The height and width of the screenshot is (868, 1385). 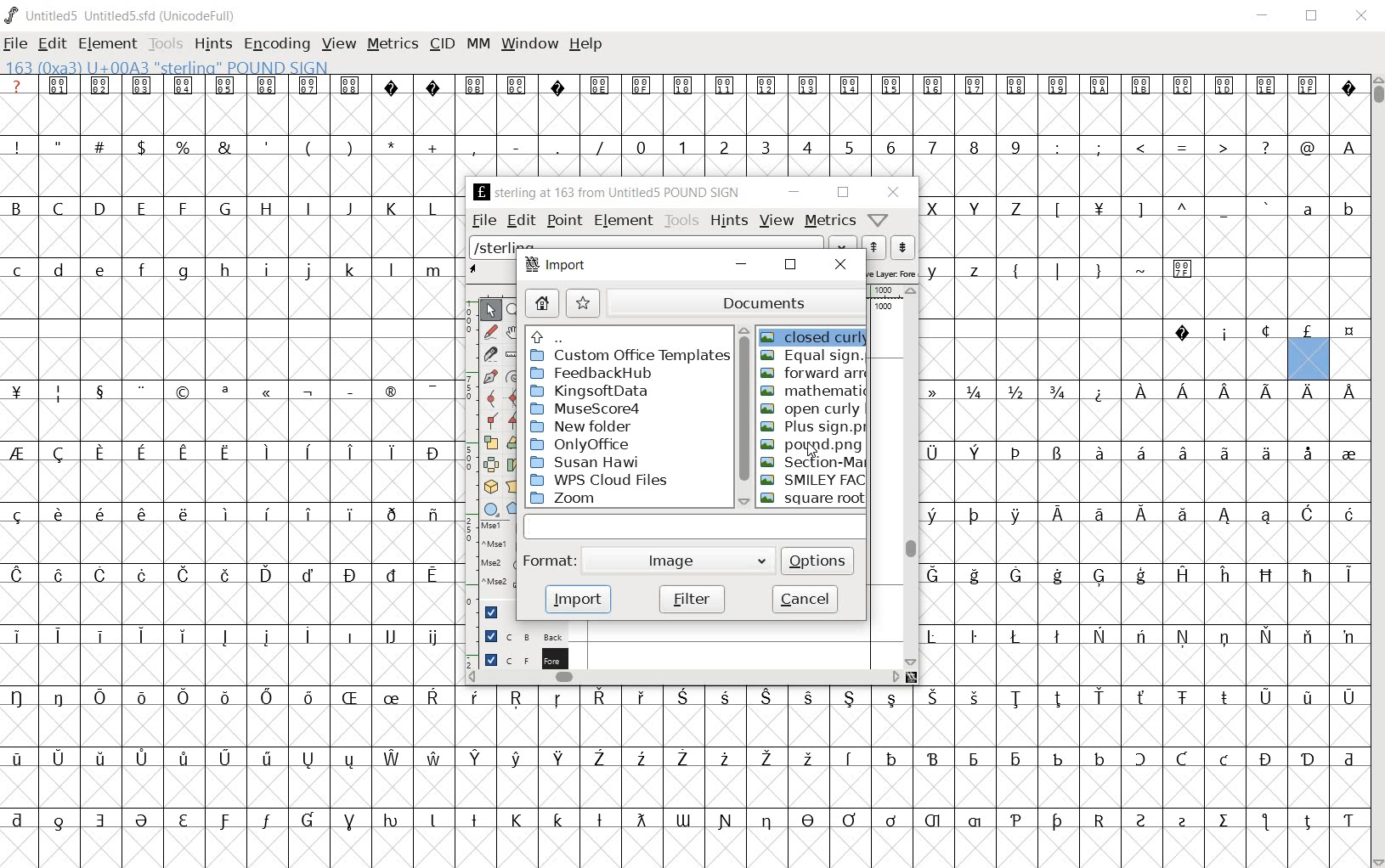 I want to click on MluseScore4, so click(x=587, y=409).